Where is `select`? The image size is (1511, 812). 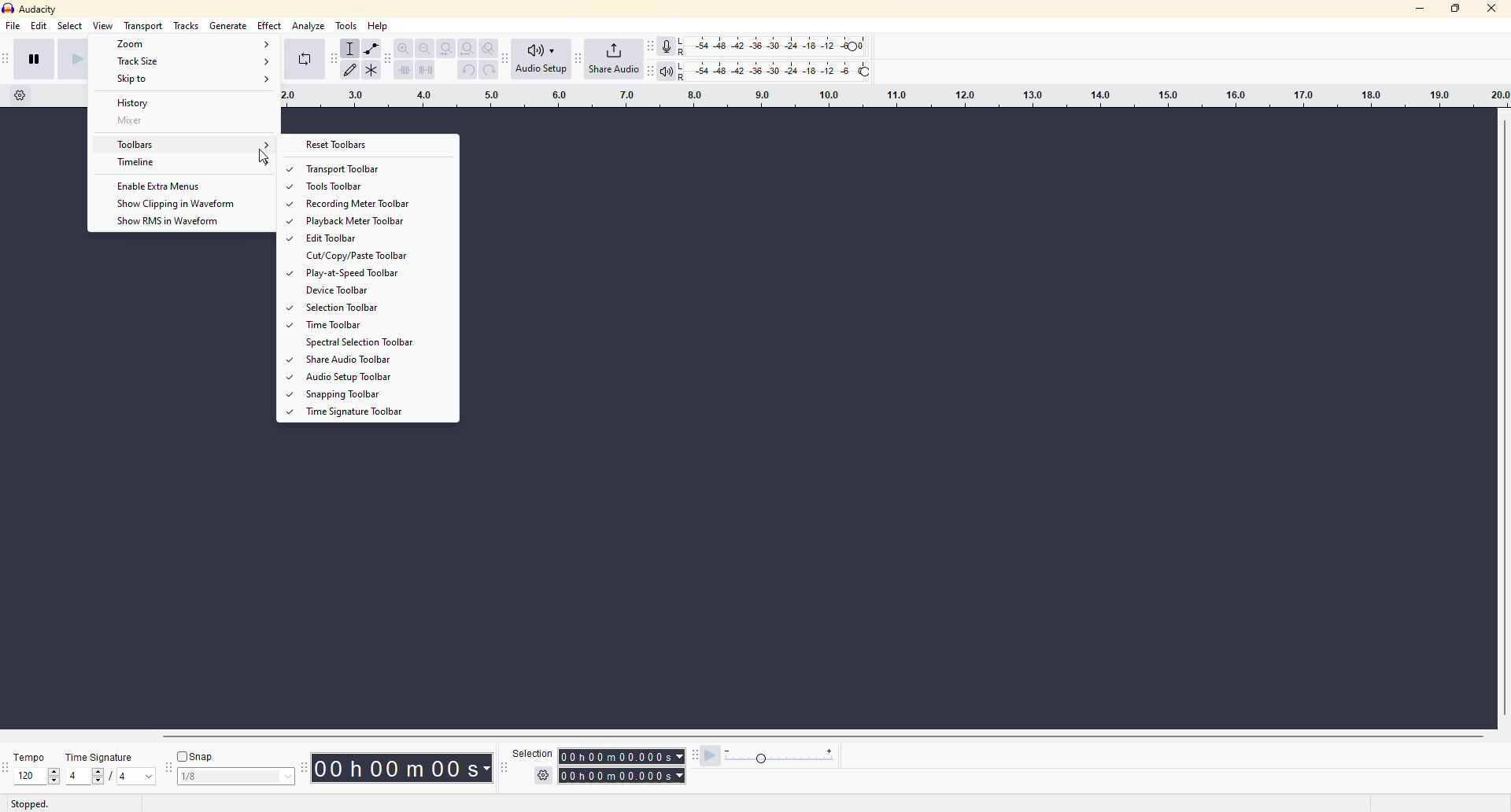
select is located at coordinates (72, 26).